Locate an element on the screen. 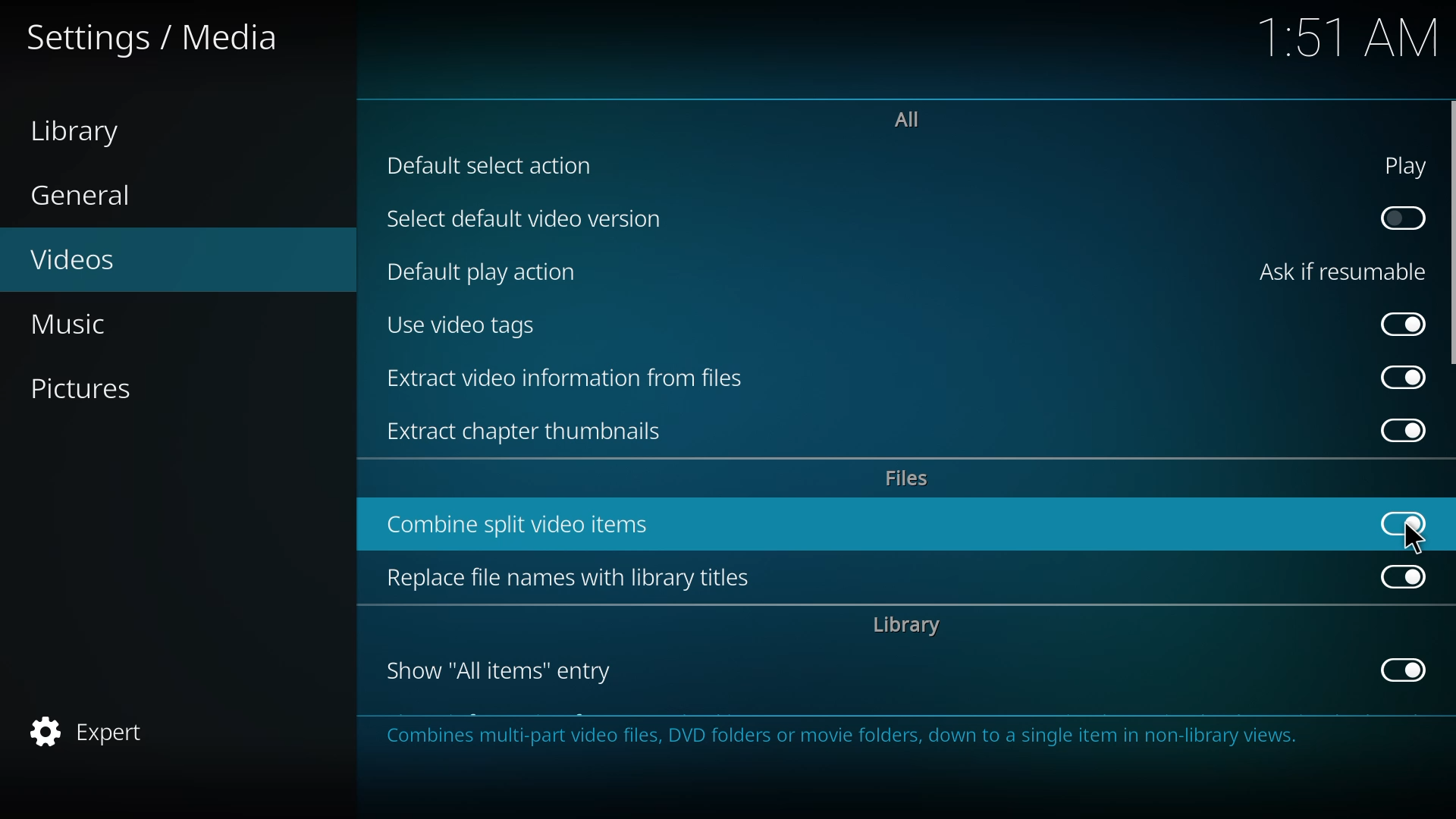 The width and height of the screenshot is (1456, 819). combine split video items is located at coordinates (526, 523).